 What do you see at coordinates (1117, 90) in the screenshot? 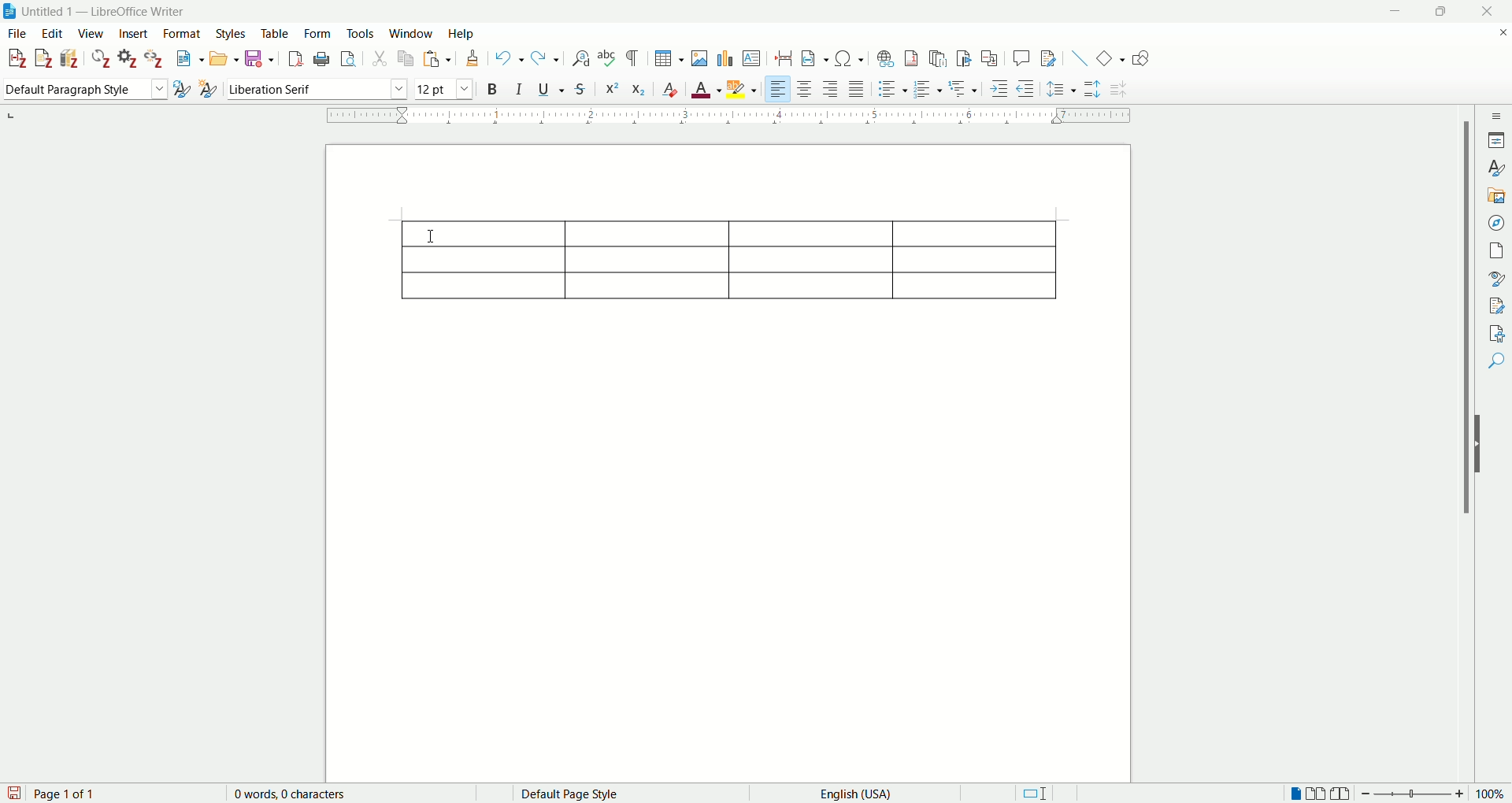
I see `decrease paragraph spacing` at bounding box center [1117, 90].